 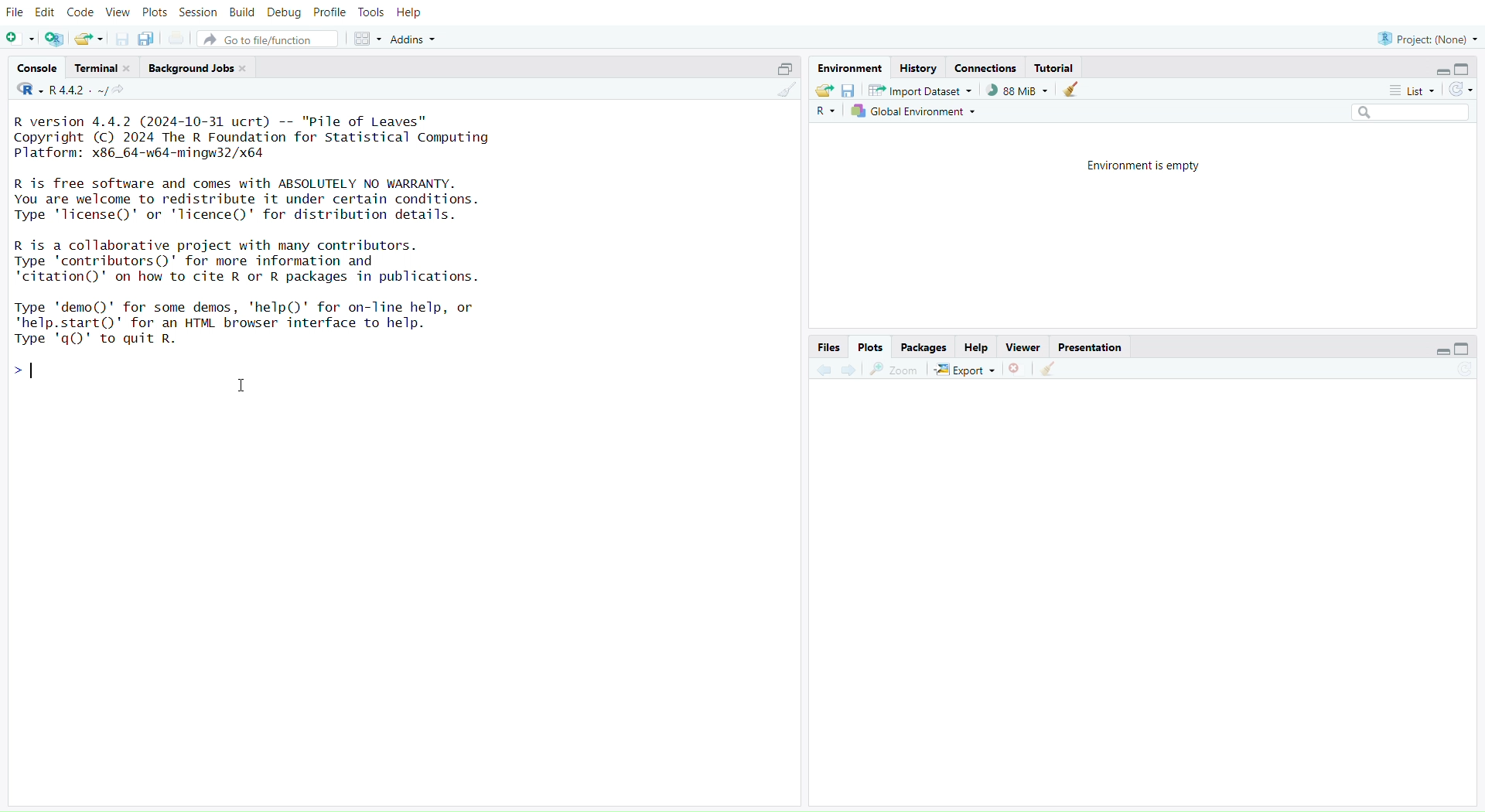 What do you see at coordinates (408, 14) in the screenshot?
I see `help` at bounding box center [408, 14].